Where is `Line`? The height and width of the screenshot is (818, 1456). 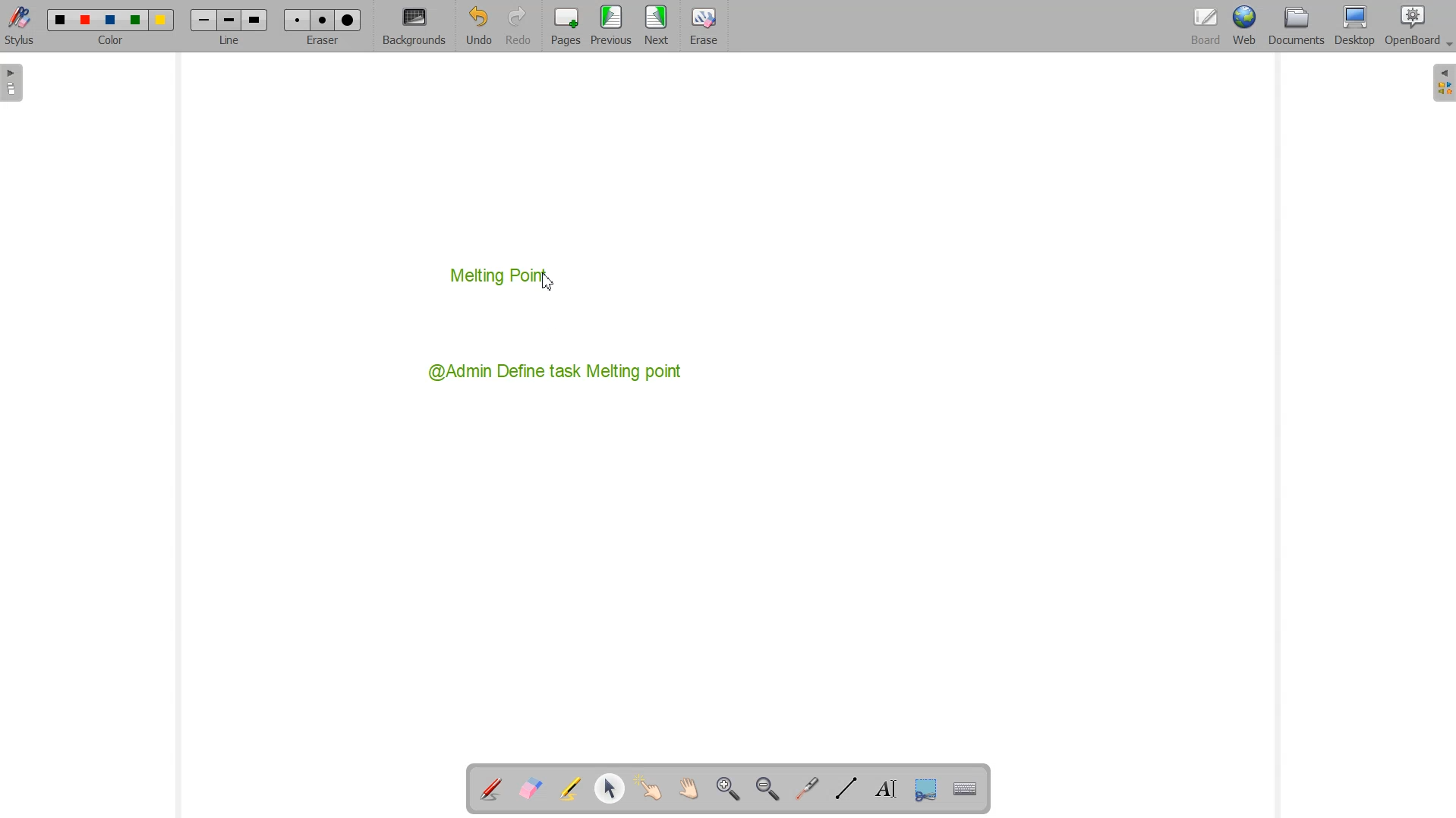 Line is located at coordinates (228, 27).